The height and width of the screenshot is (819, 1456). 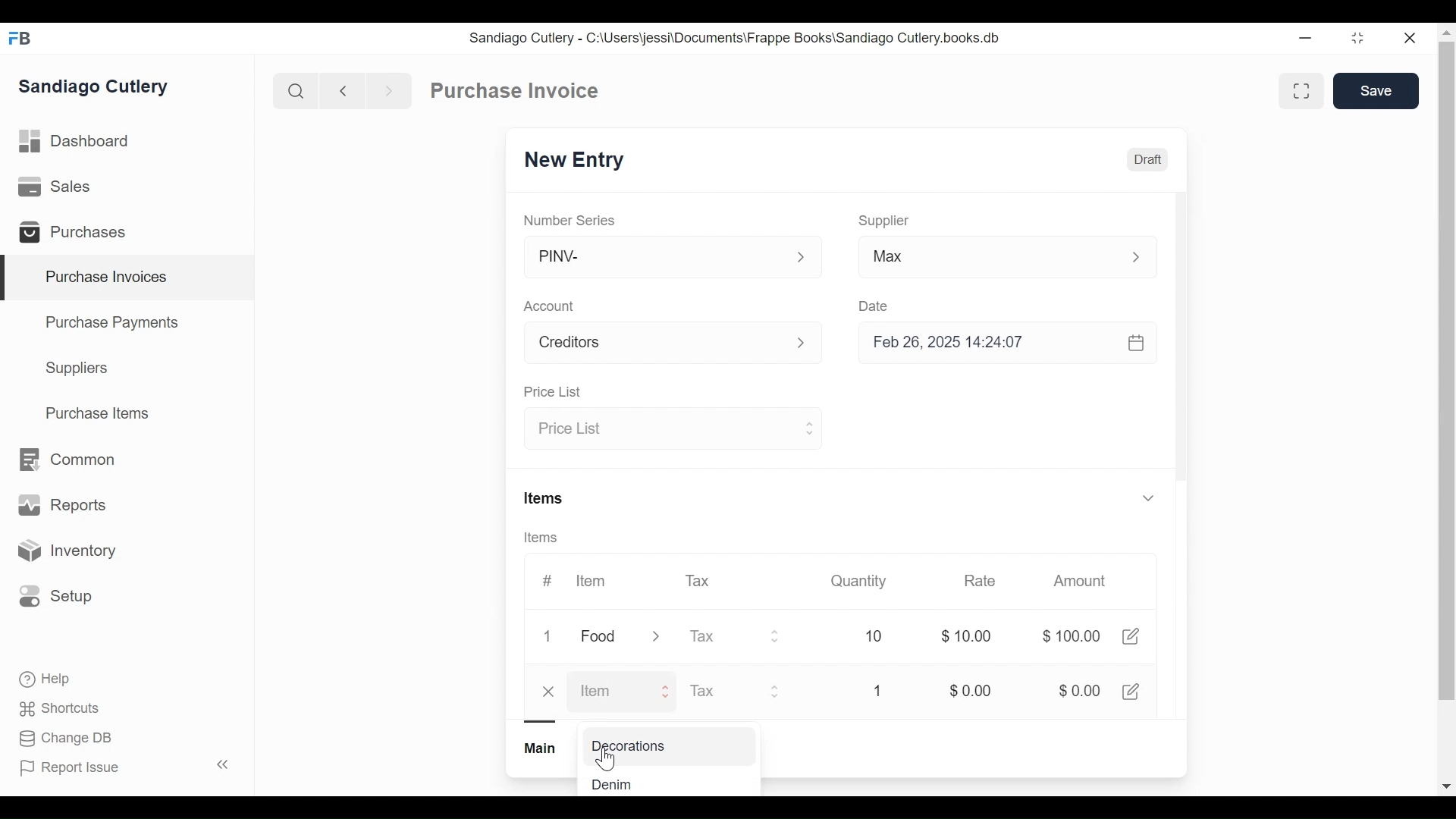 What do you see at coordinates (1070, 635) in the screenshot?
I see `$100.00` at bounding box center [1070, 635].